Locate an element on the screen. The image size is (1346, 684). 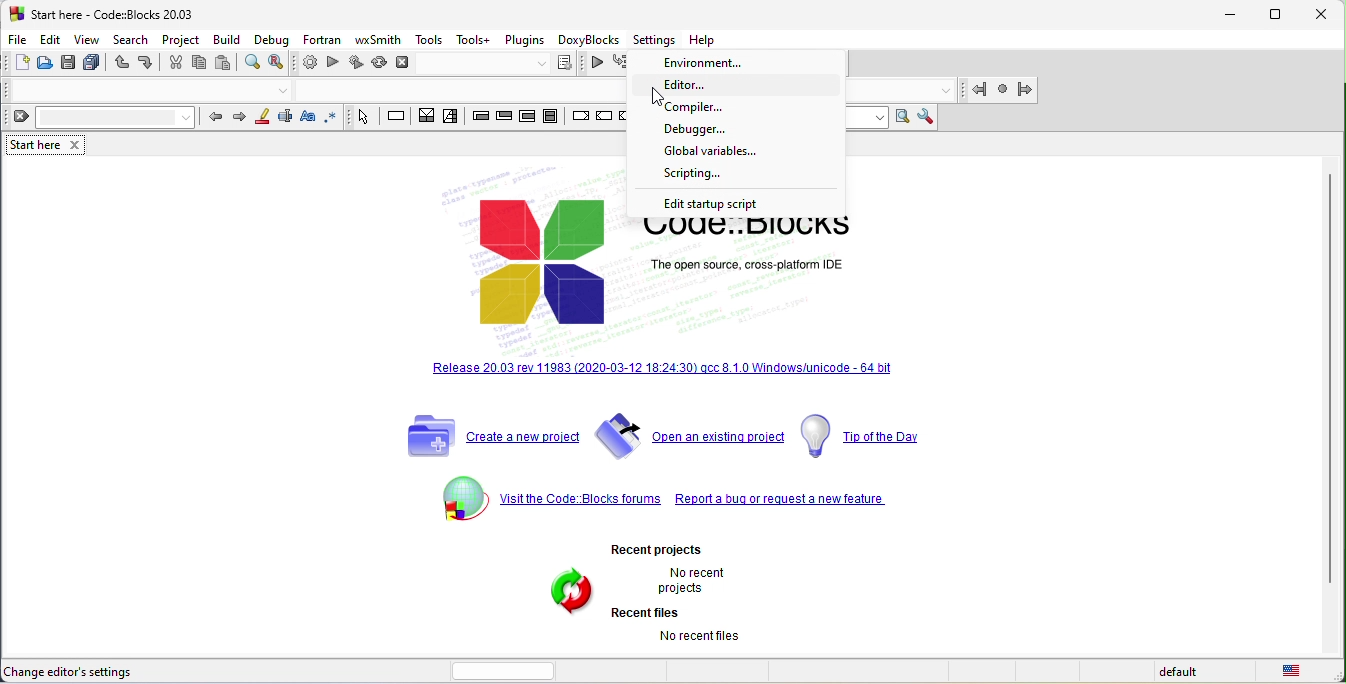
redo is located at coordinates (149, 65).